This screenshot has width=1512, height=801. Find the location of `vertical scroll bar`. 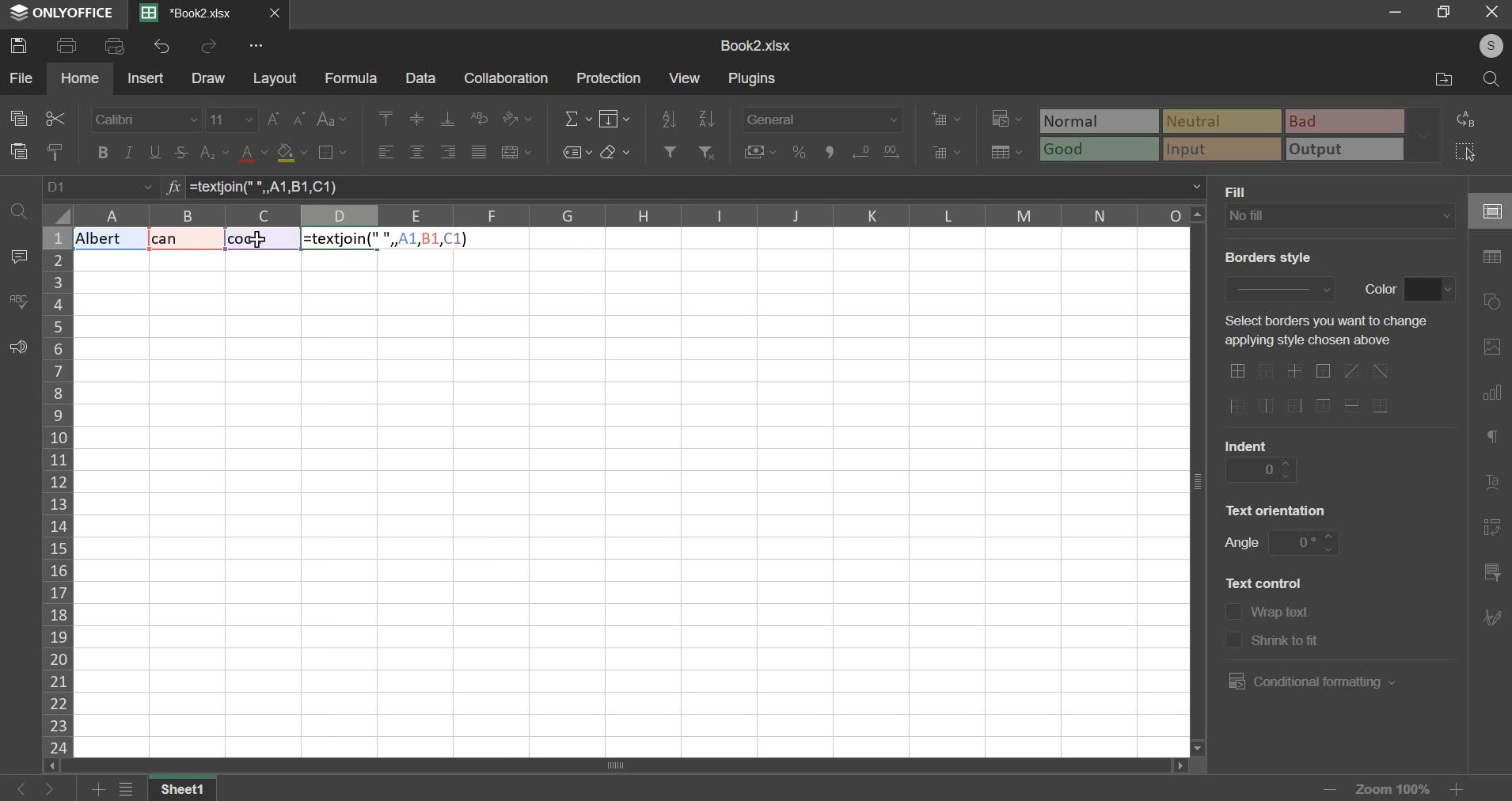

vertical scroll bar is located at coordinates (1201, 480).